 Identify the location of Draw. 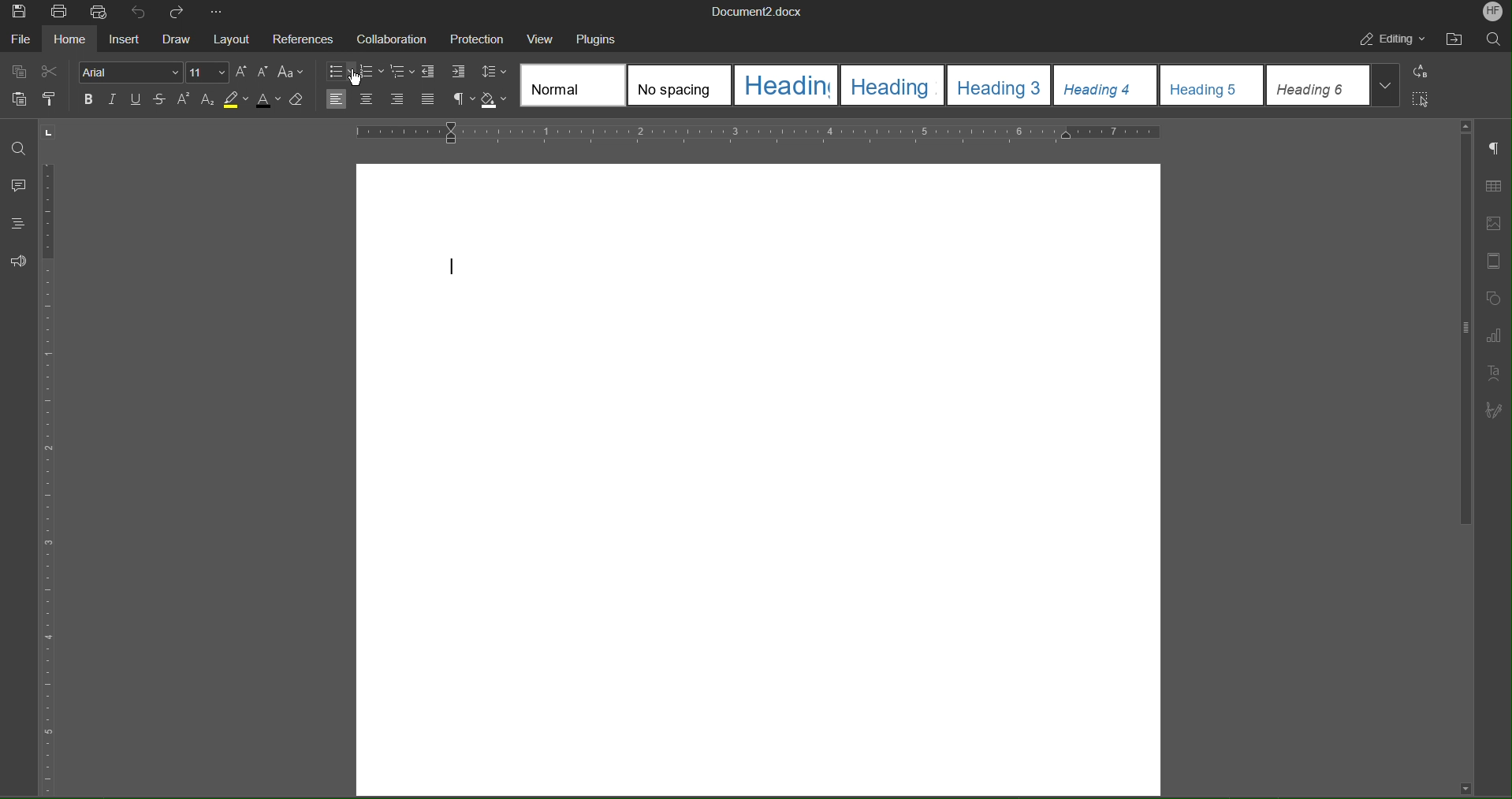
(177, 40).